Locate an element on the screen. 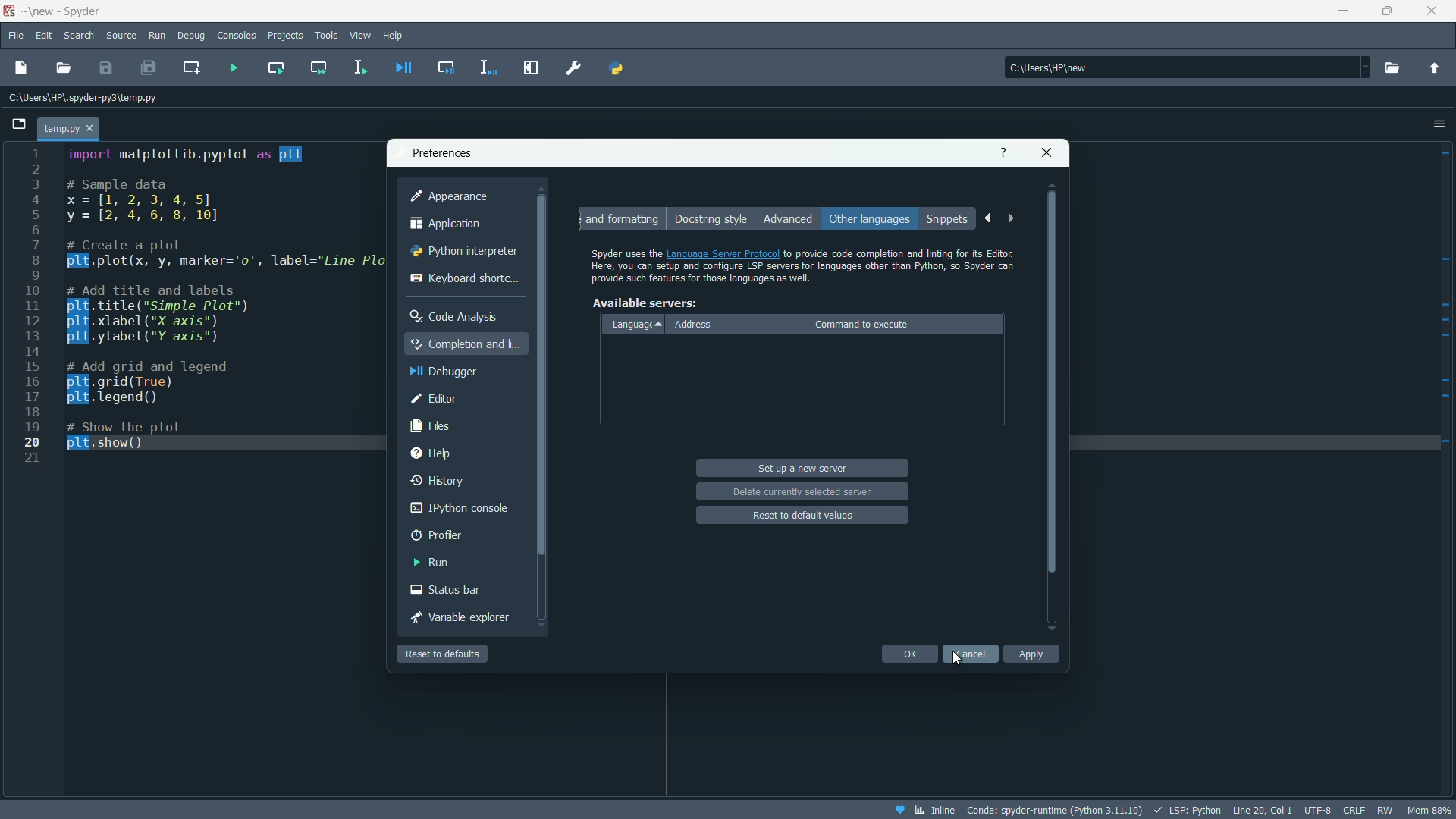  add cell to current line is located at coordinates (190, 67).